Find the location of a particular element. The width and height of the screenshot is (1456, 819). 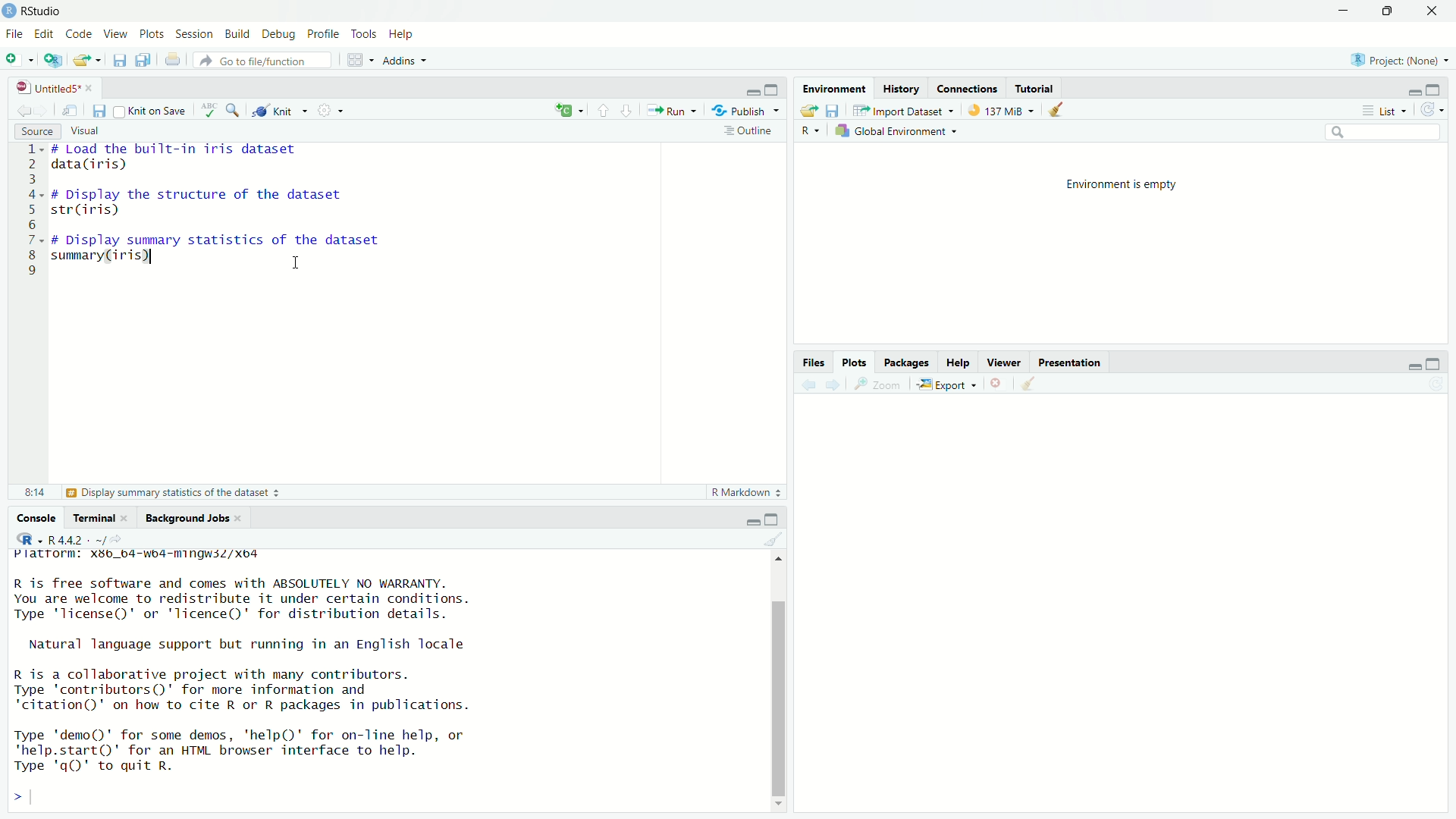

Open an existing file is located at coordinates (87, 61).